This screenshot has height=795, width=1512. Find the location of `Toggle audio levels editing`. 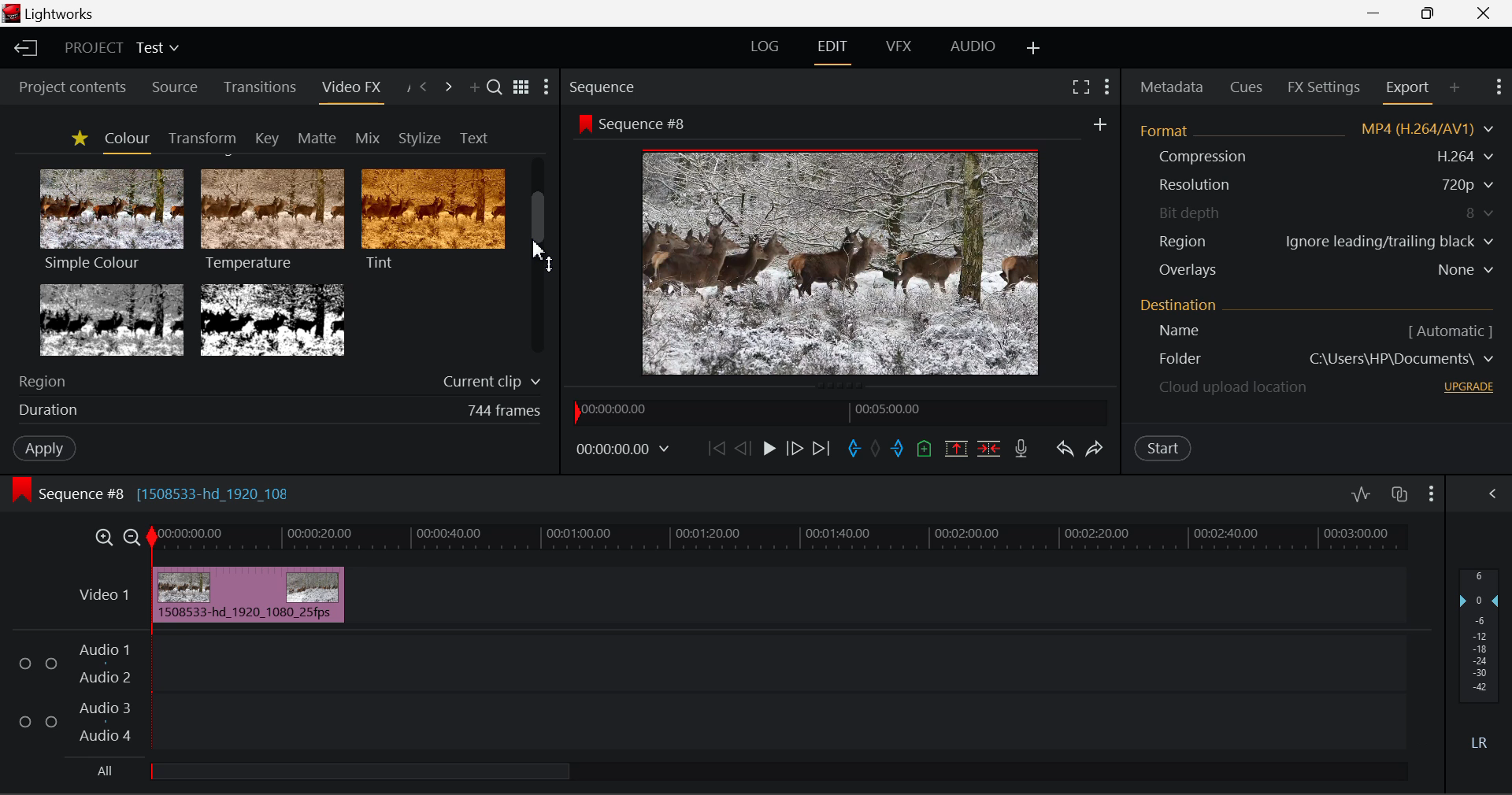

Toggle audio levels editing is located at coordinates (1360, 492).